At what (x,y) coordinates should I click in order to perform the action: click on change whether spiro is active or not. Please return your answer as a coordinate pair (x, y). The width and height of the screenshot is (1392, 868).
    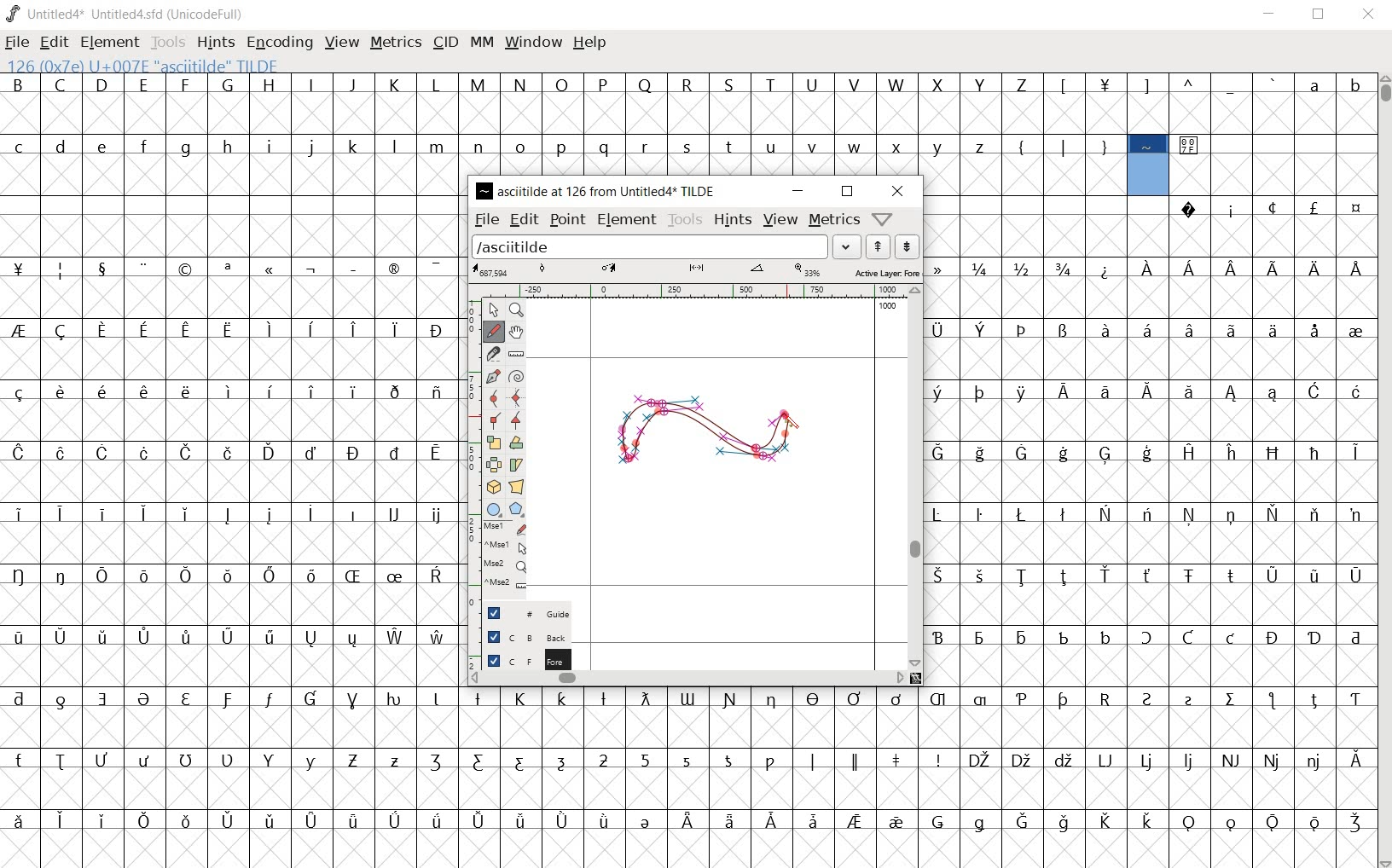
    Looking at the image, I should click on (516, 375).